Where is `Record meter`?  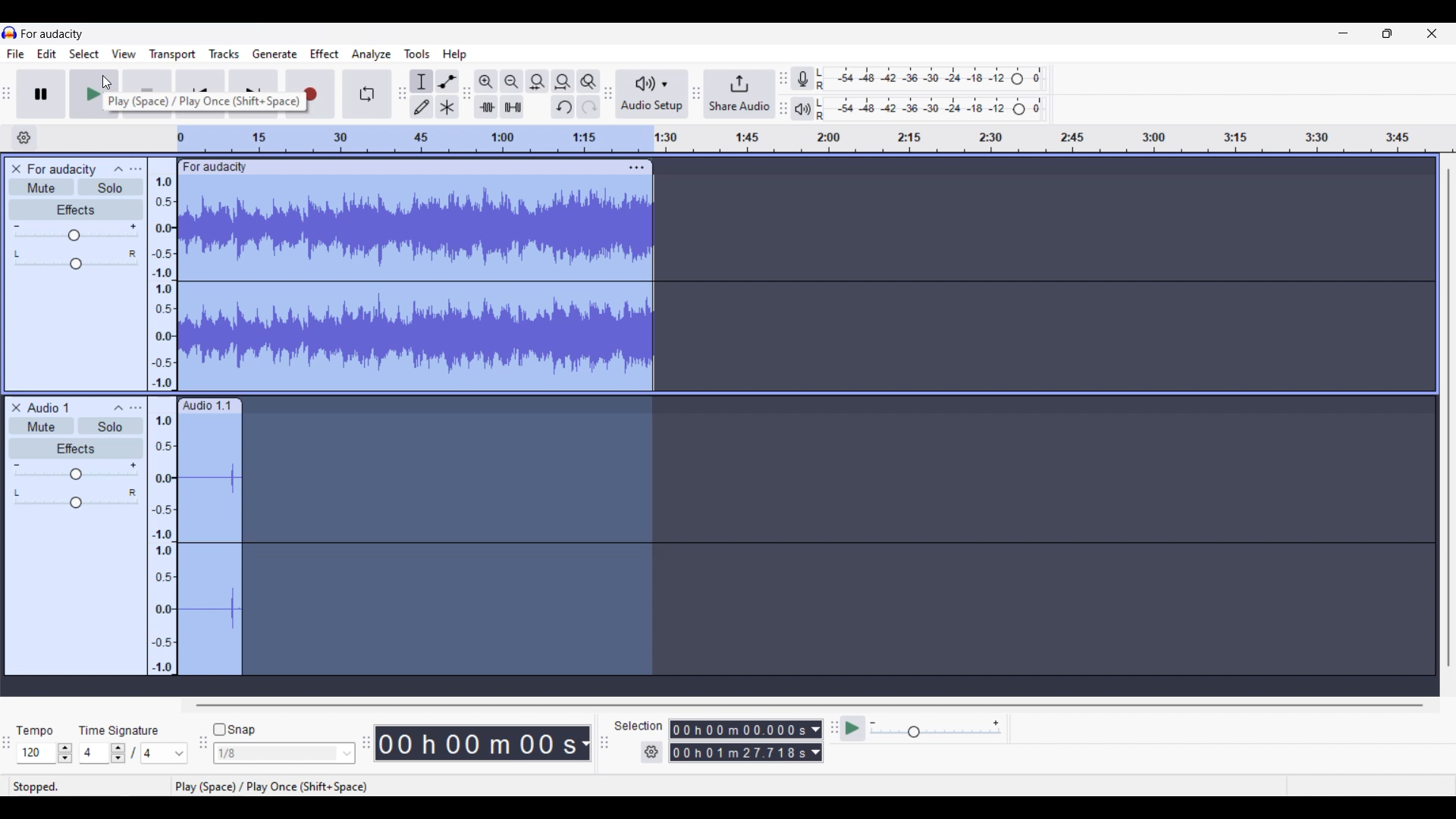 Record meter is located at coordinates (802, 78).